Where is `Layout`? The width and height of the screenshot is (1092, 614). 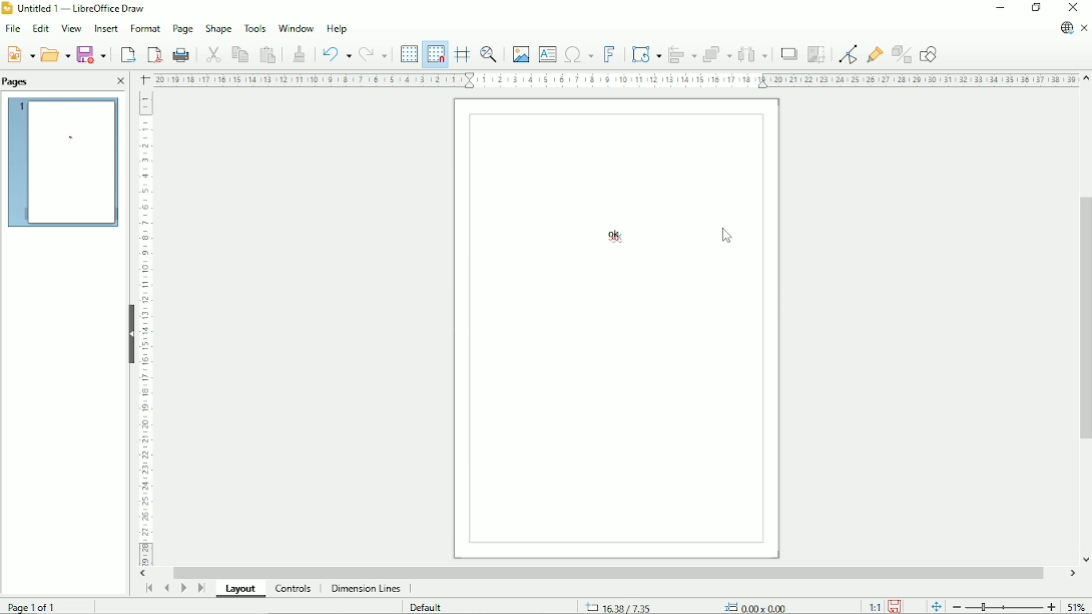 Layout is located at coordinates (245, 589).